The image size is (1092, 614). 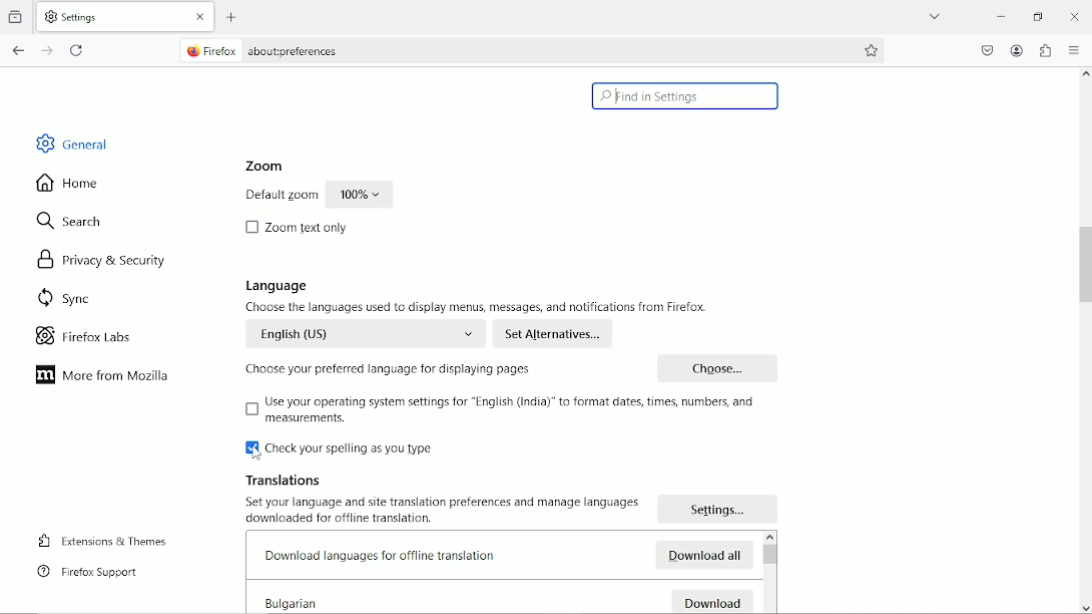 What do you see at coordinates (72, 142) in the screenshot?
I see `General` at bounding box center [72, 142].